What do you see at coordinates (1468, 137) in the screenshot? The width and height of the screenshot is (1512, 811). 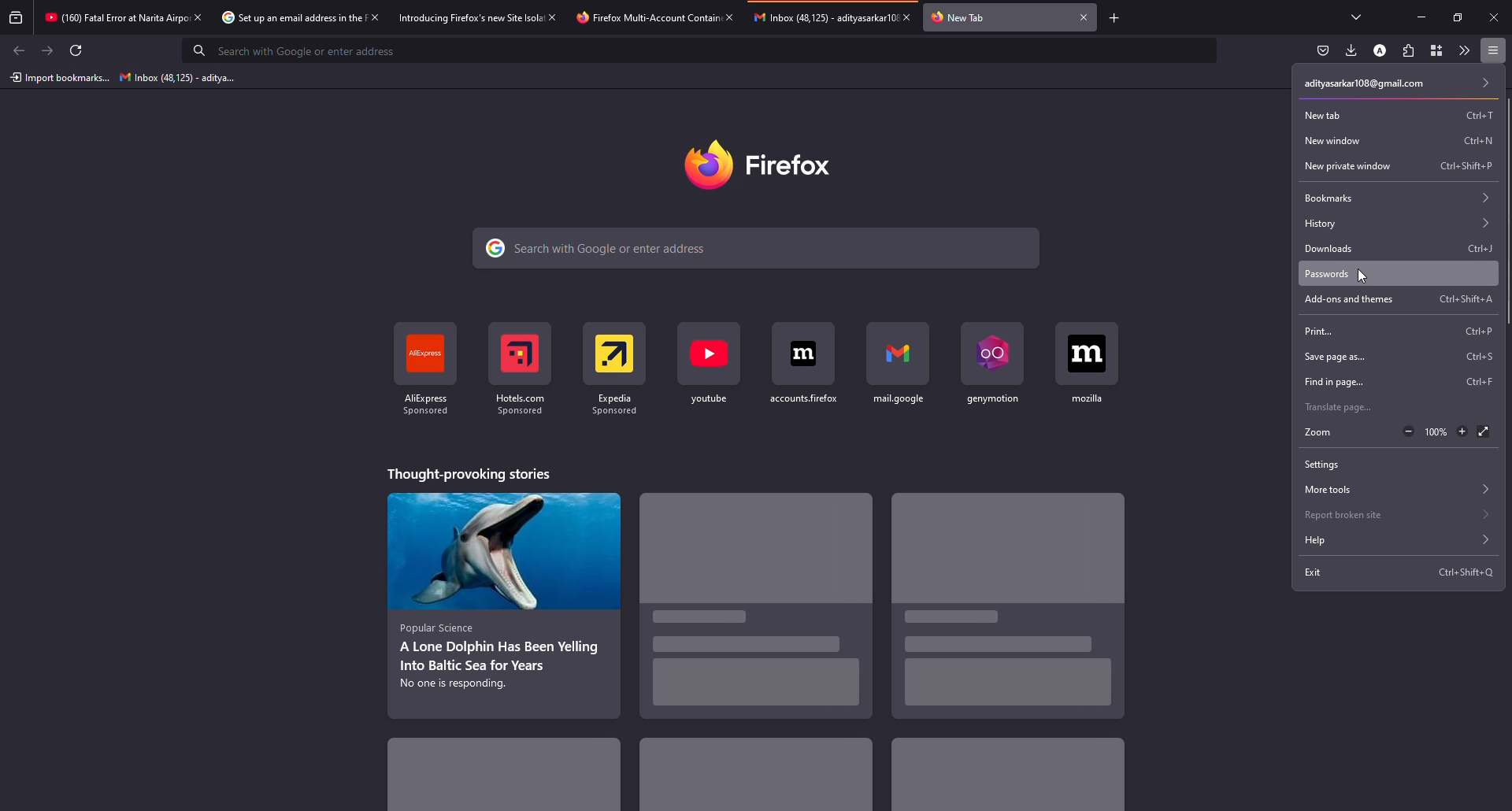 I see `shortcut` at bounding box center [1468, 137].